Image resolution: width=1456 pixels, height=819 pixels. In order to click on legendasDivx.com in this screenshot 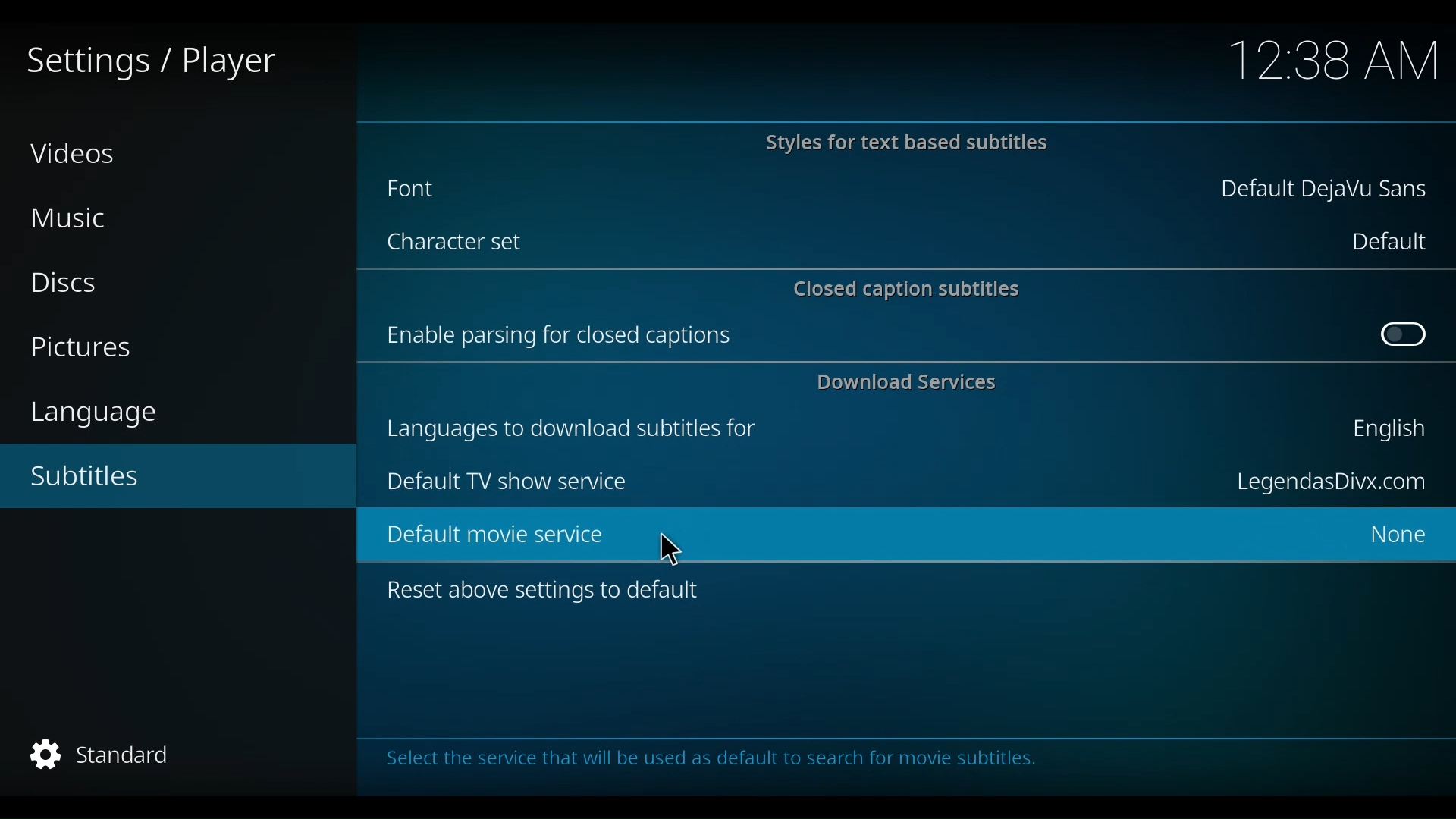, I will do `click(1329, 483)`.